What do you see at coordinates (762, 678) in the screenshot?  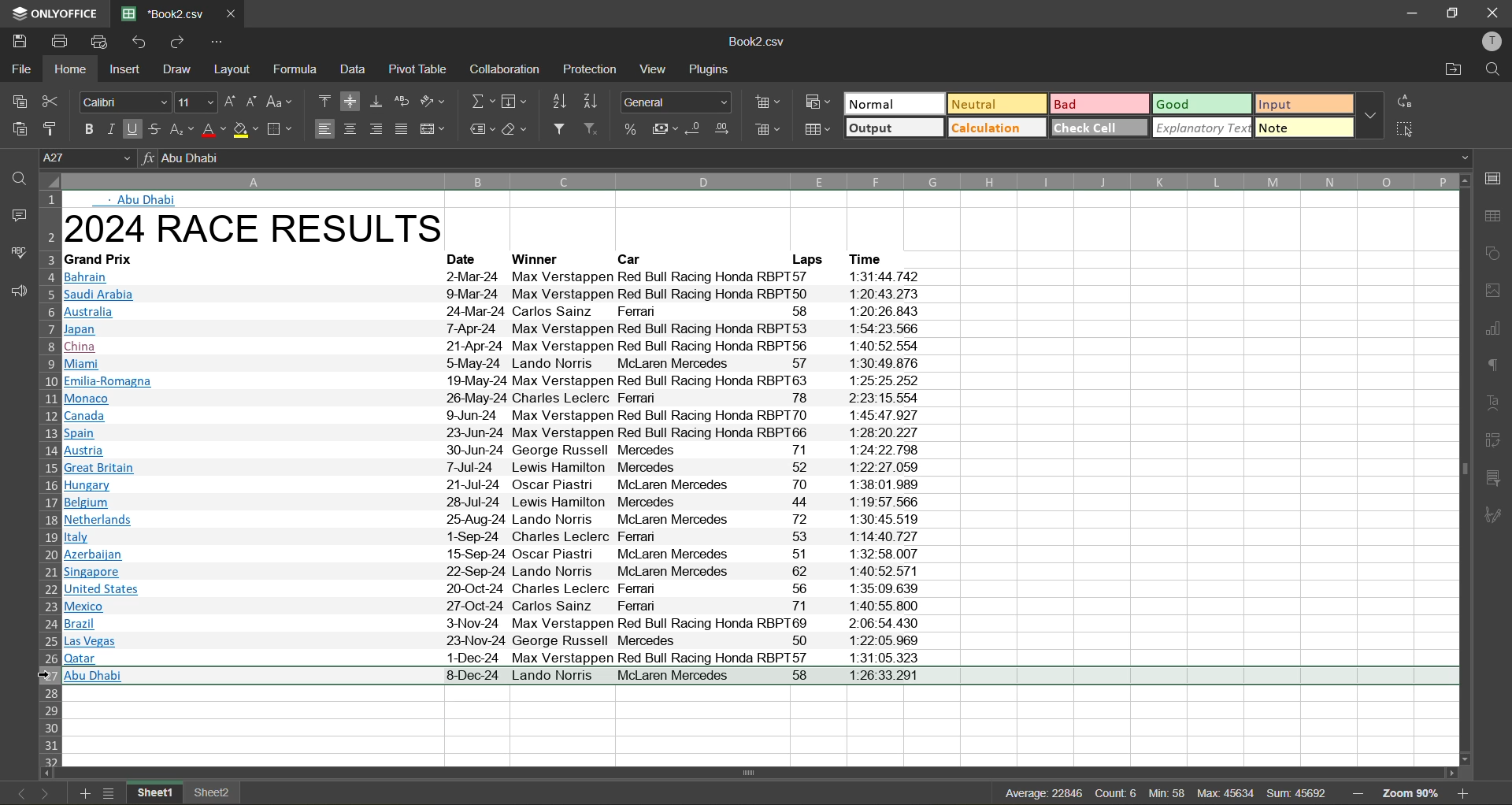 I see `data selected` at bounding box center [762, 678].